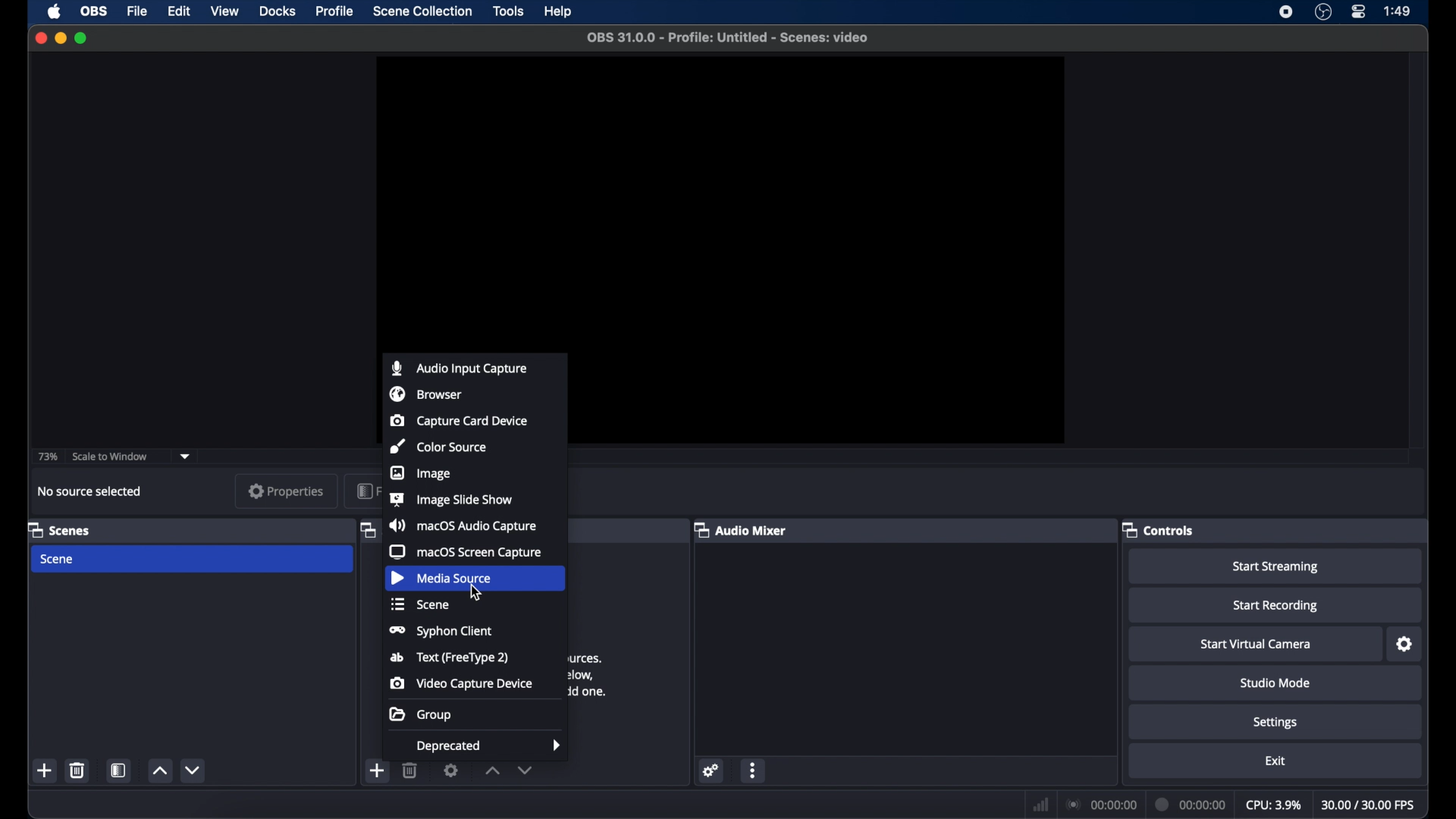  Describe the element at coordinates (422, 714) in the screenshot. I see `group` at that location.